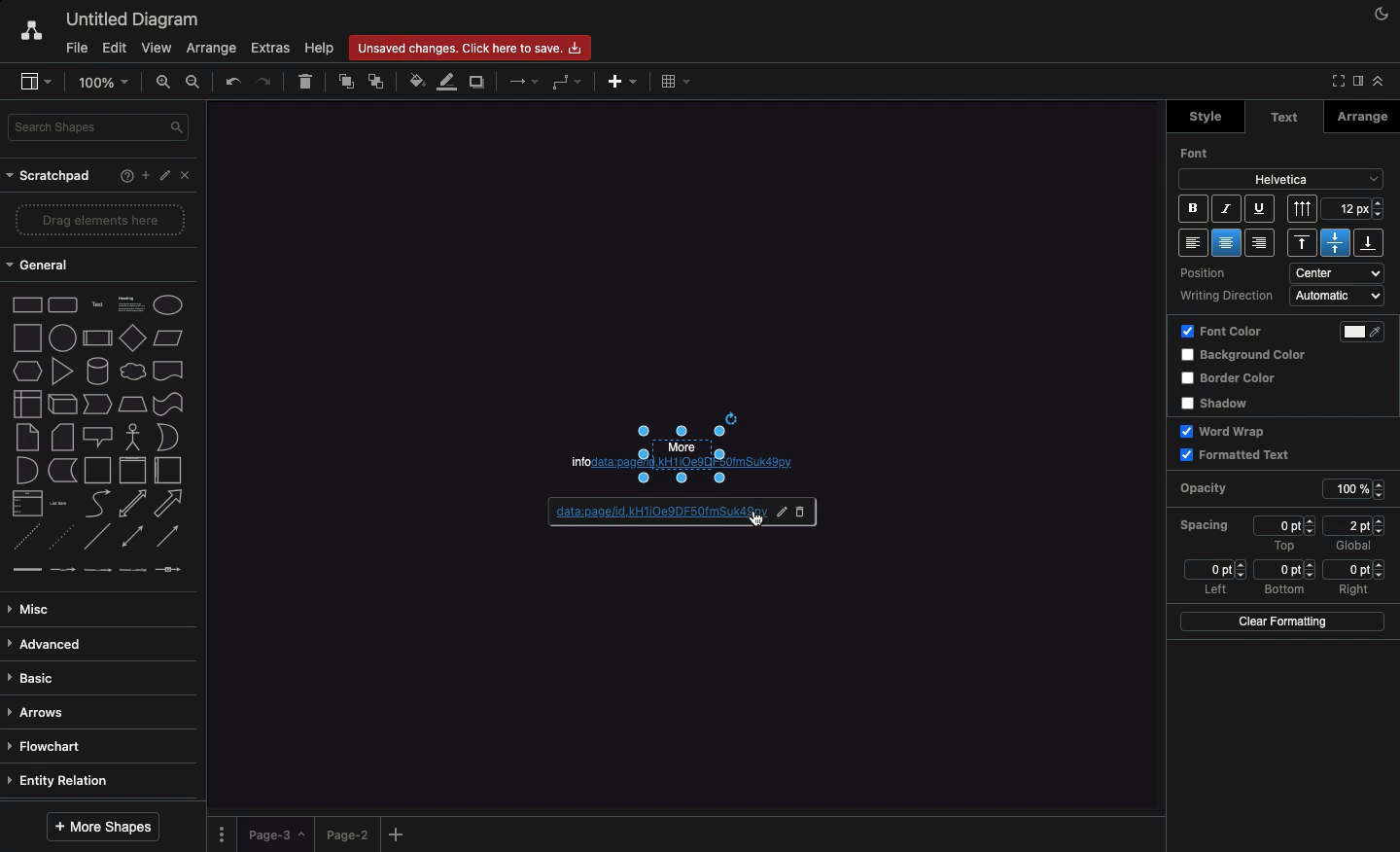 This screenshot has height=852, width=1400. I want to click on diamond, so click(133, 337).